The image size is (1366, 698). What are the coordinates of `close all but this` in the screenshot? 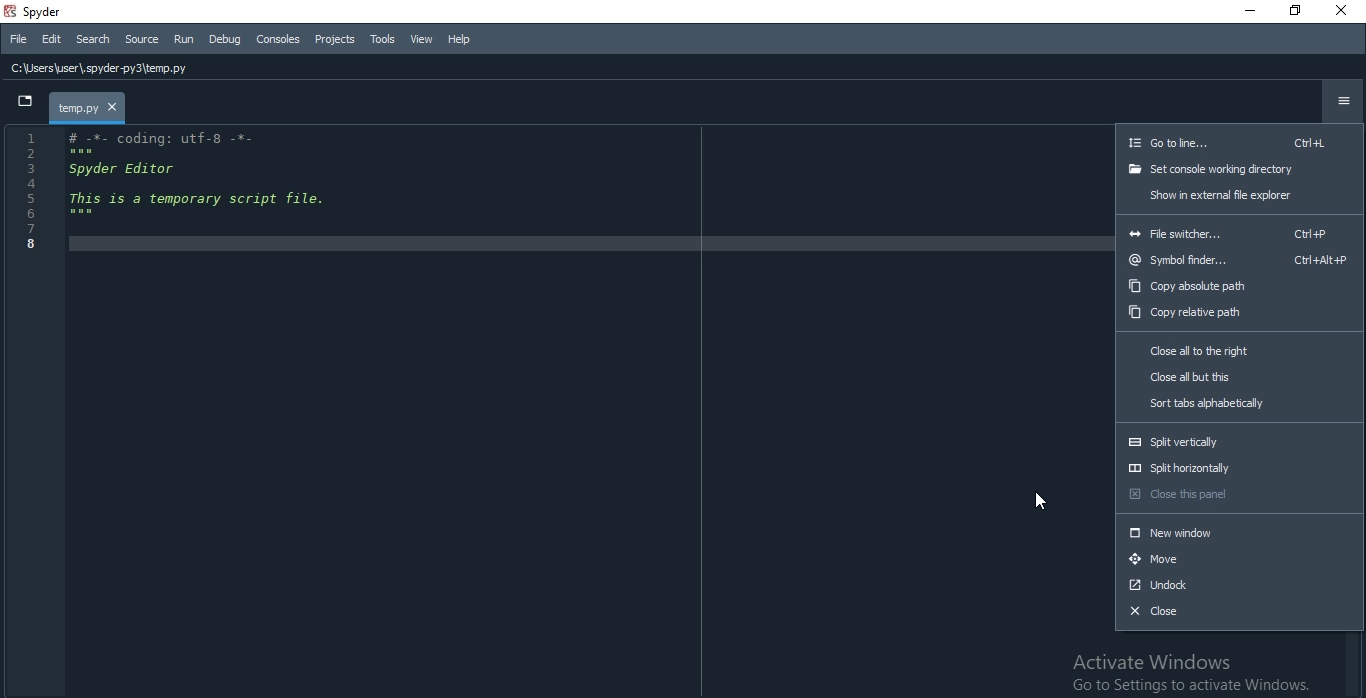 It's located at (1241, 378).